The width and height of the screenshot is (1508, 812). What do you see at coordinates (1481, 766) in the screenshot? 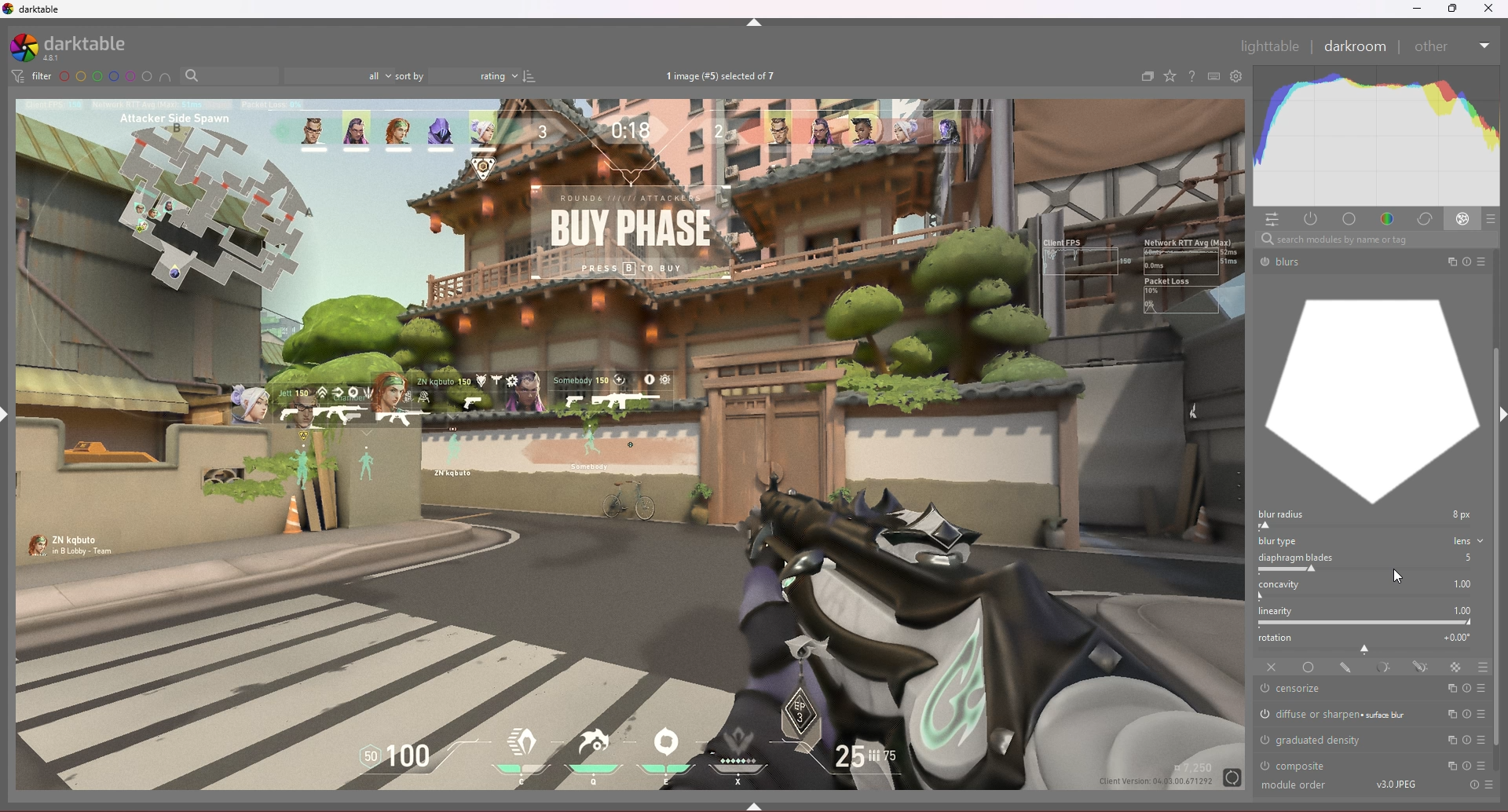
I see `presets` at bounding box center [1481, 766].